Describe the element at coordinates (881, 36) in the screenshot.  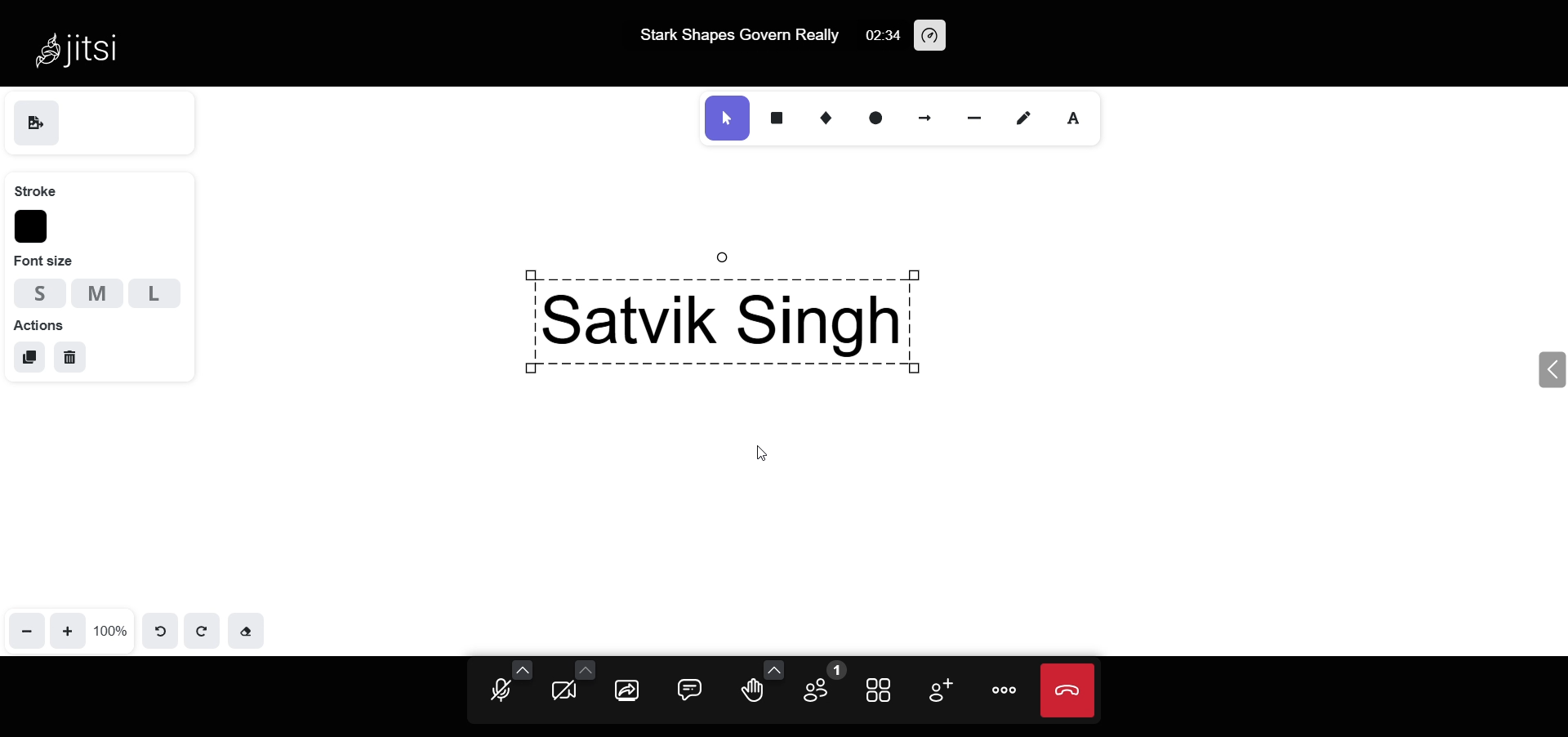
I see `02:34` at that location.